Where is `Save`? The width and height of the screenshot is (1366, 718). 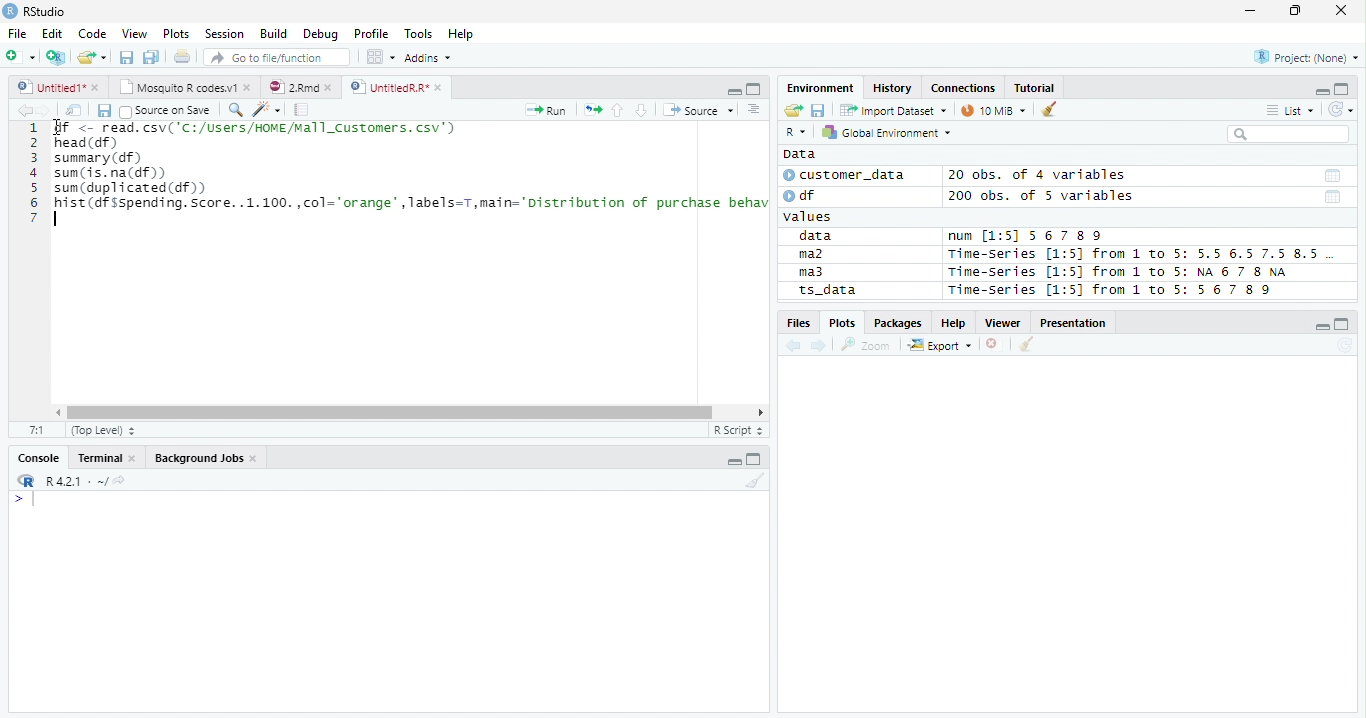 Save is located at coordinates (818, 109).